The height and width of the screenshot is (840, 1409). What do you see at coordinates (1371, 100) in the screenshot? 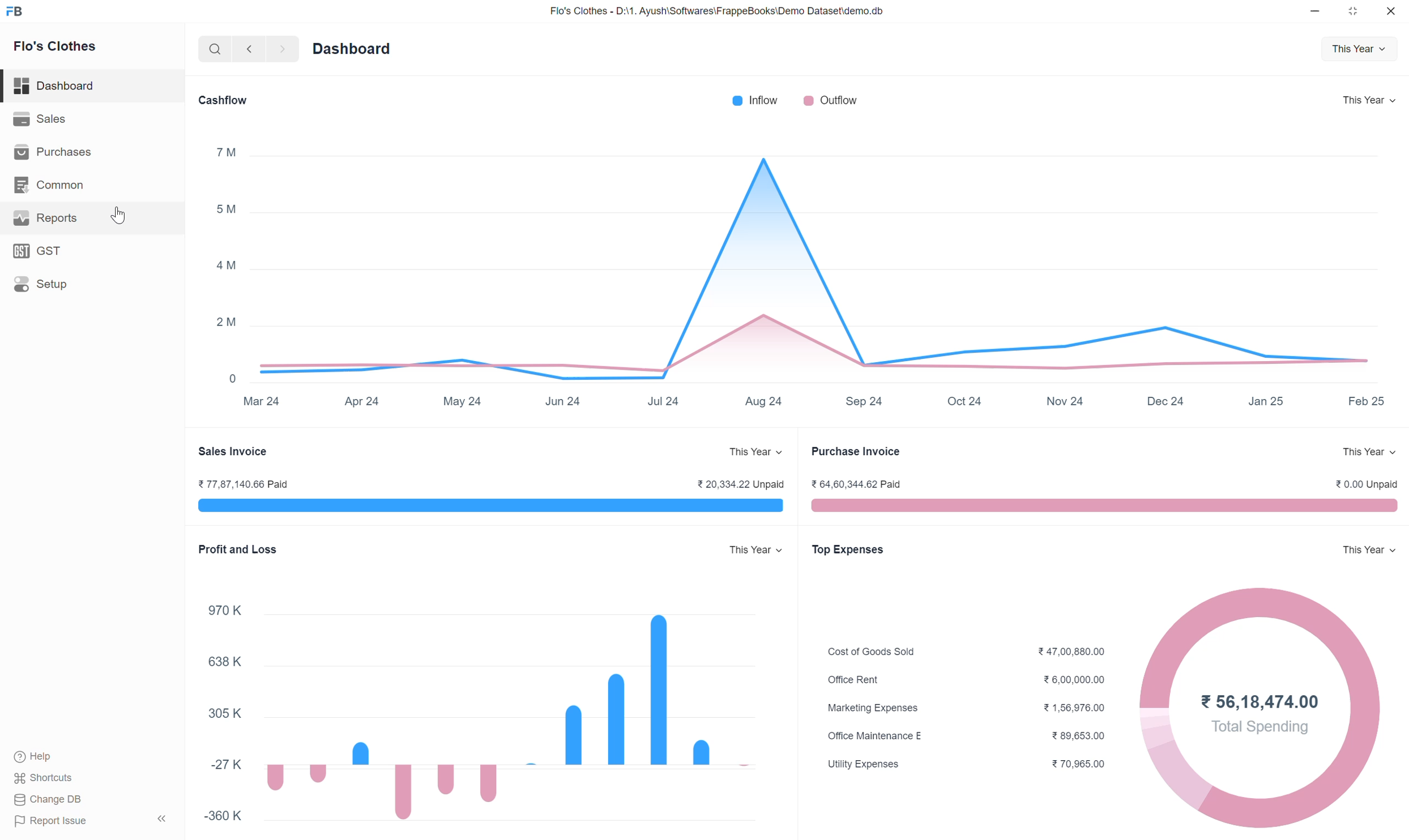
I see `this year` at bounding box center [1371, 100].